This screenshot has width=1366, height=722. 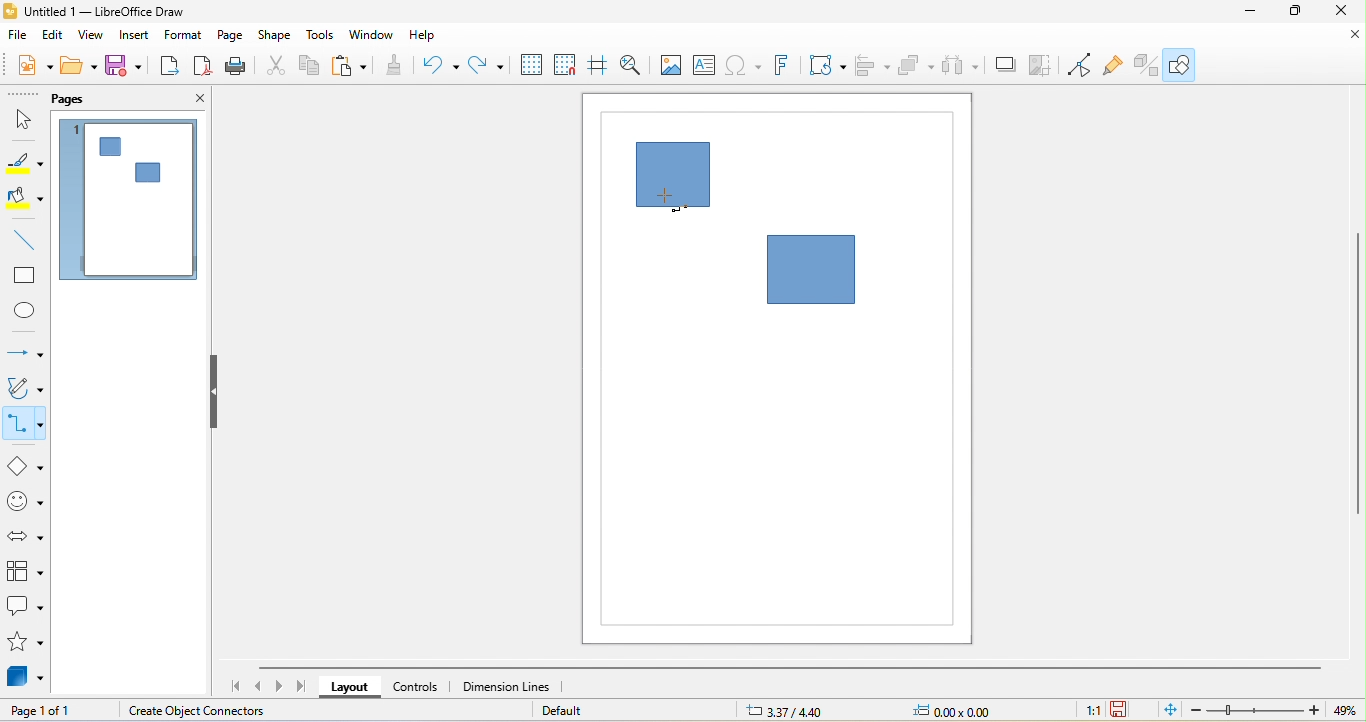 I want to click on select at least three object, so click(x=962, y=67).